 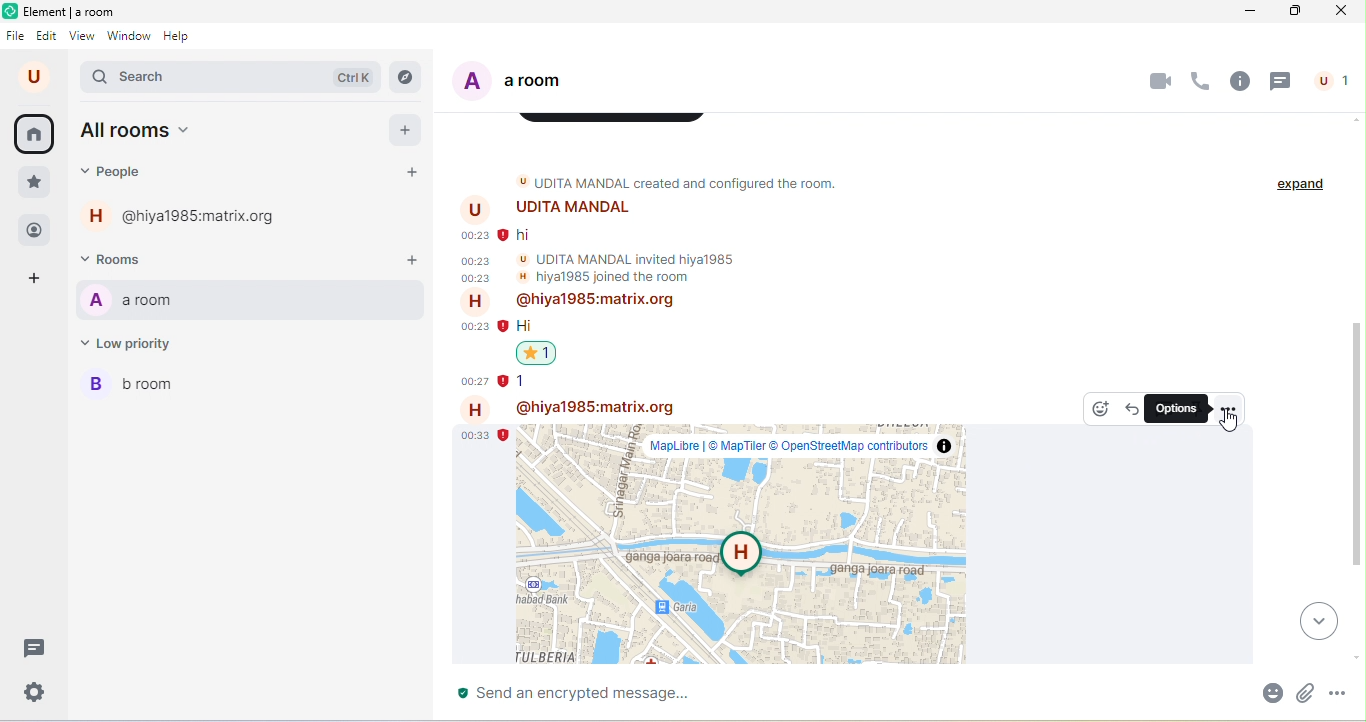 I want to click on add, so click(x=406, y=129).